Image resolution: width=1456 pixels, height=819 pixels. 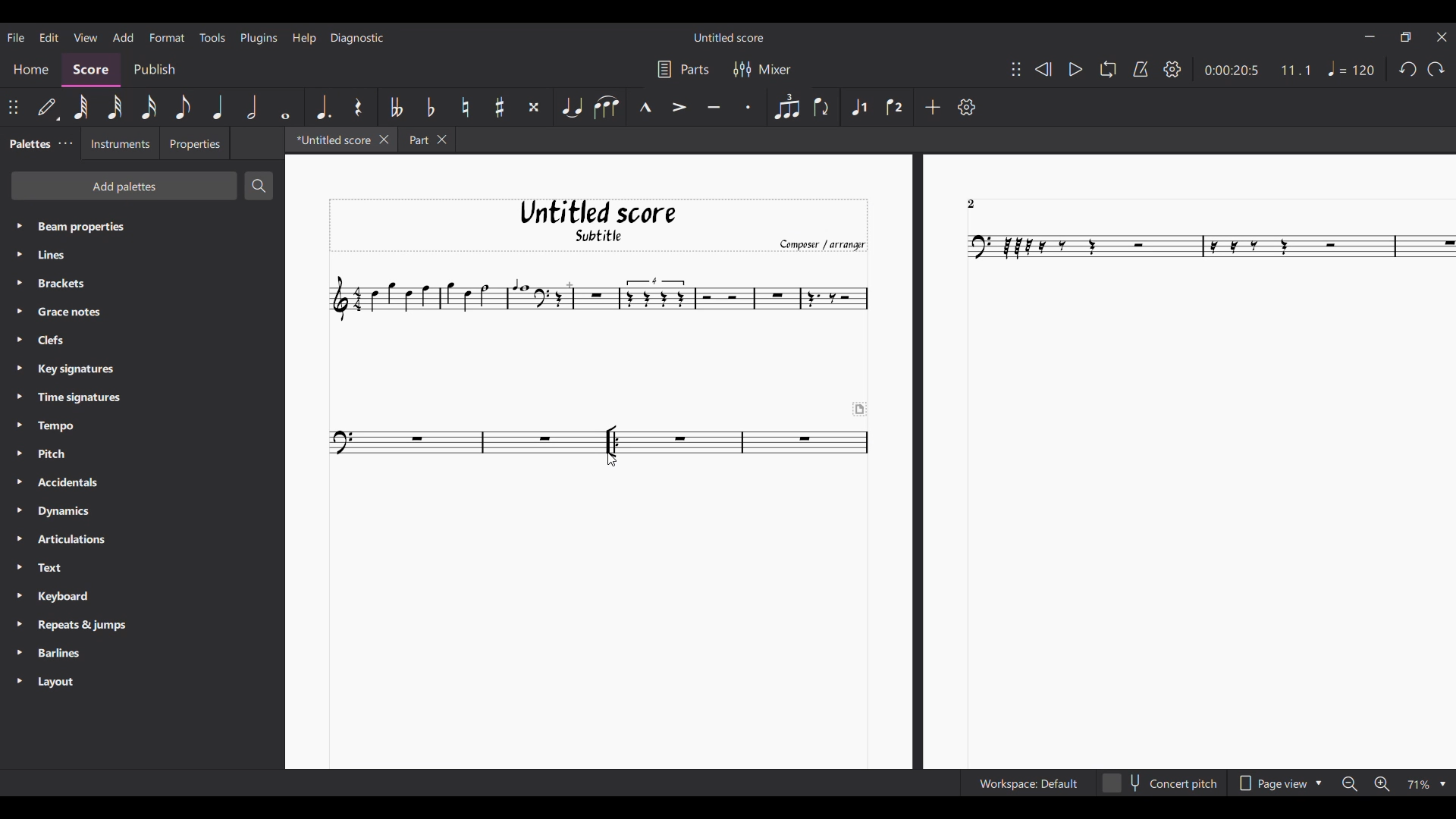 I want to click on Expand, so click(x=19, y=454).